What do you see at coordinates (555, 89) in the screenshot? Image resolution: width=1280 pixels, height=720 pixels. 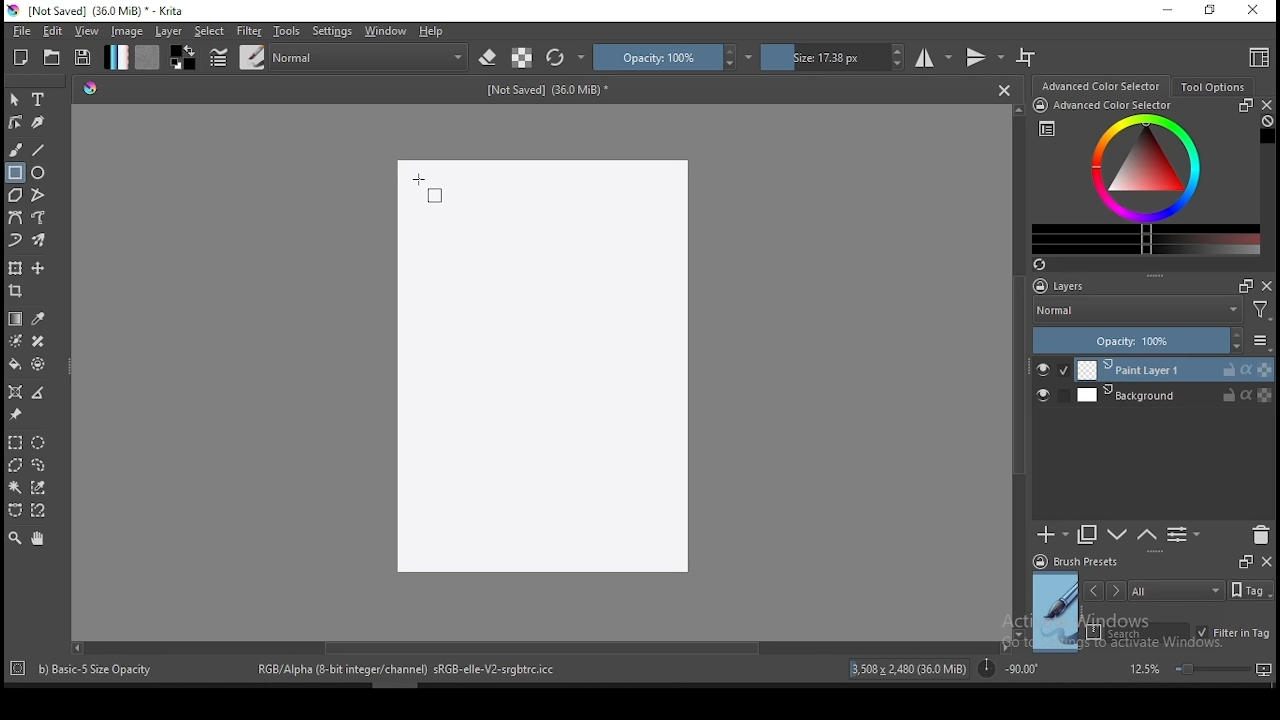 I see `size` at bounding box center [555, 89].